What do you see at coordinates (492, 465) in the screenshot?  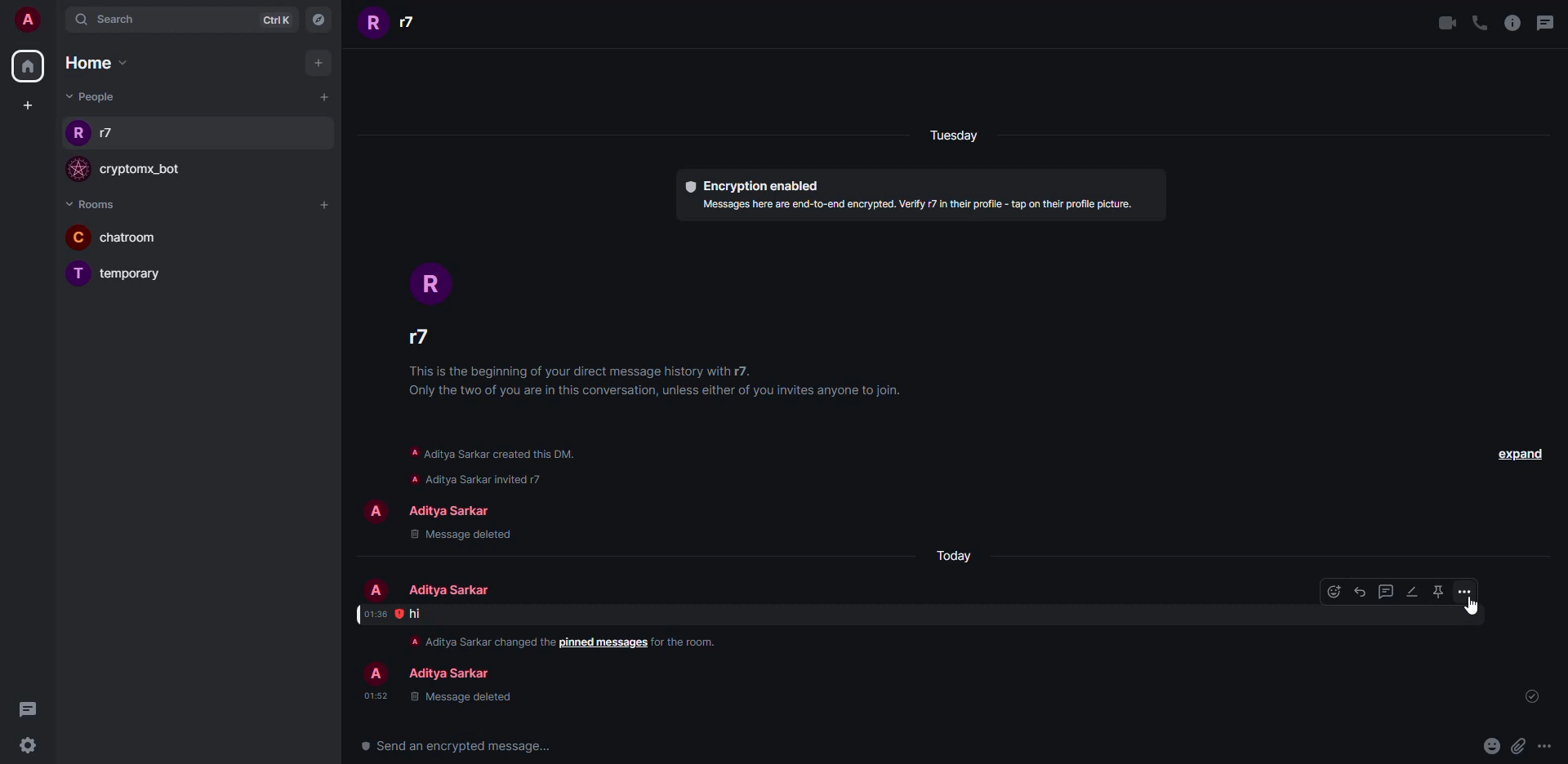 I see `info` at bounding box center [492, 465].